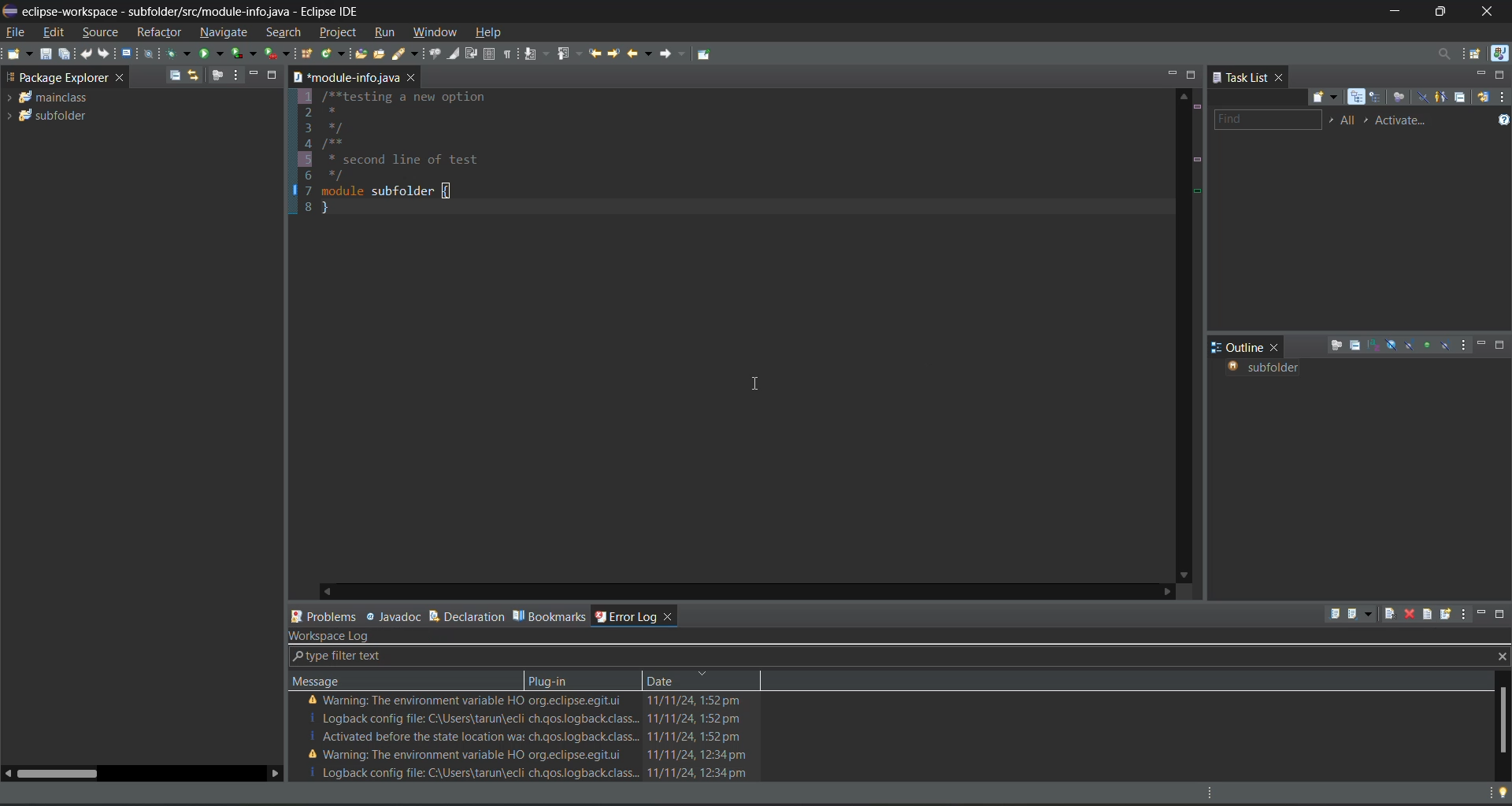 The height and width of the screenshot is (806, 1512). What do you see at coordinates (277, 74) in the screenshot?
I see `maximize` at bounding box center [277, 74].